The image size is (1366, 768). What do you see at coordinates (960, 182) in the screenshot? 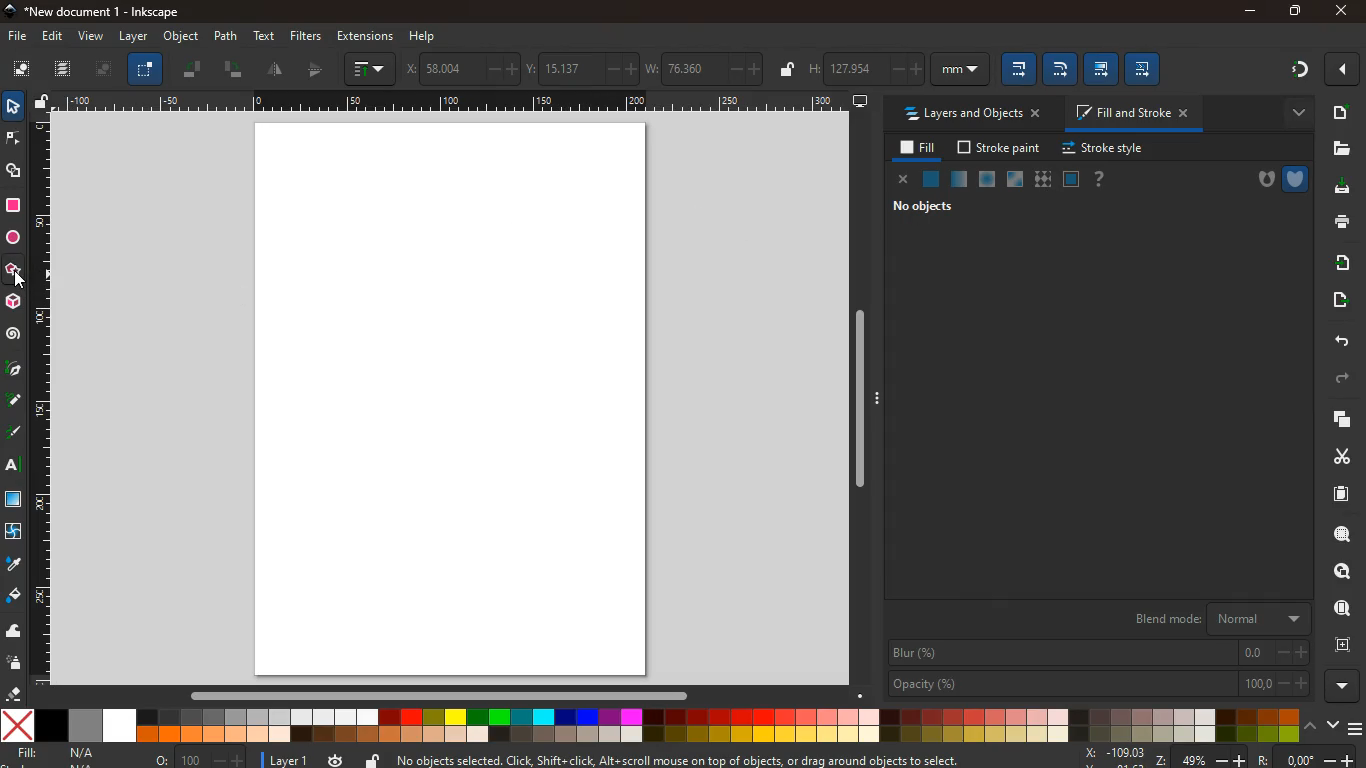
I see `opacity` at bounding box center [960, 182].